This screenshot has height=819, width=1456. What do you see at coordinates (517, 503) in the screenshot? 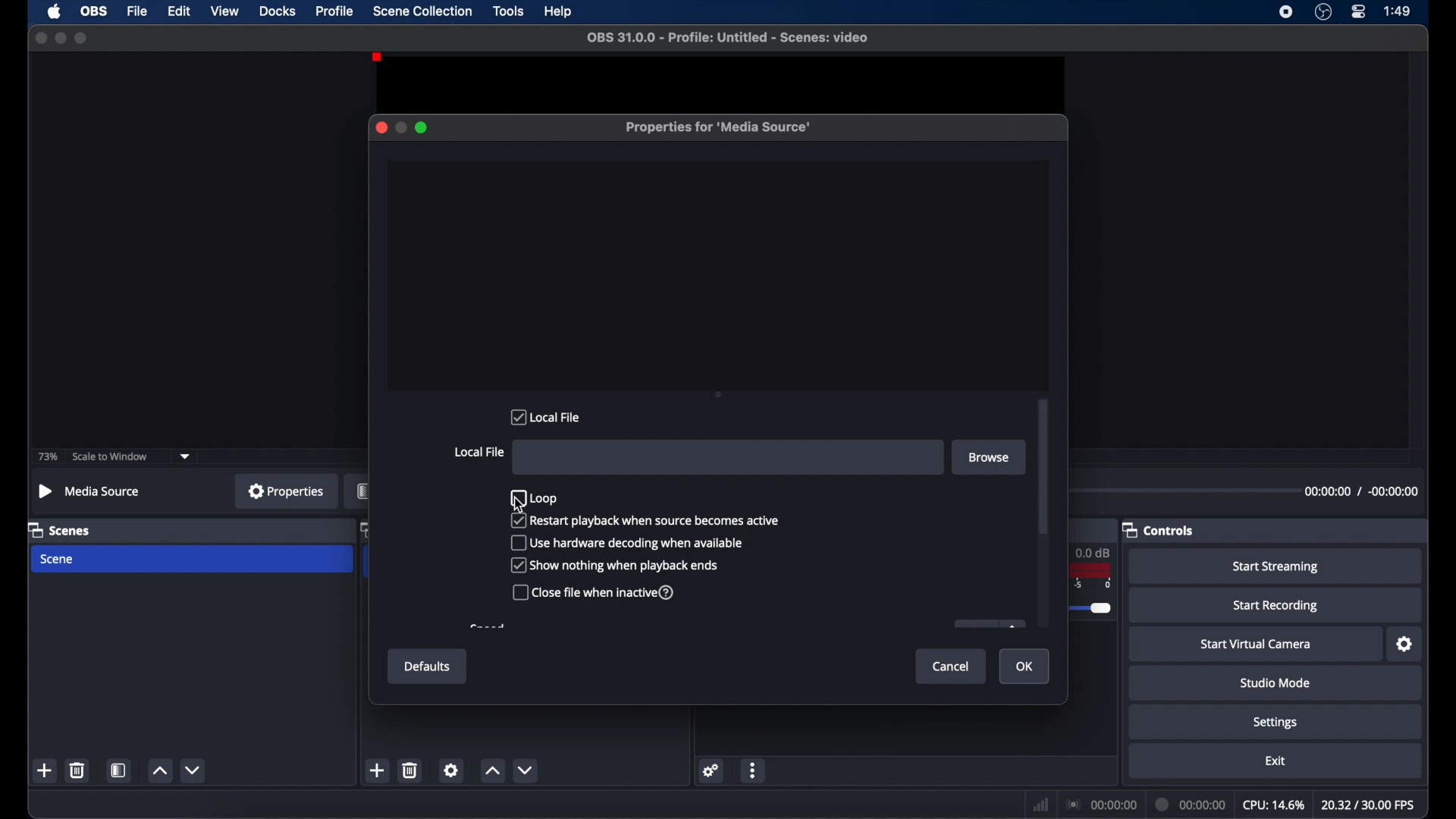
I see `Cursor` at bounding box center [517, 503].